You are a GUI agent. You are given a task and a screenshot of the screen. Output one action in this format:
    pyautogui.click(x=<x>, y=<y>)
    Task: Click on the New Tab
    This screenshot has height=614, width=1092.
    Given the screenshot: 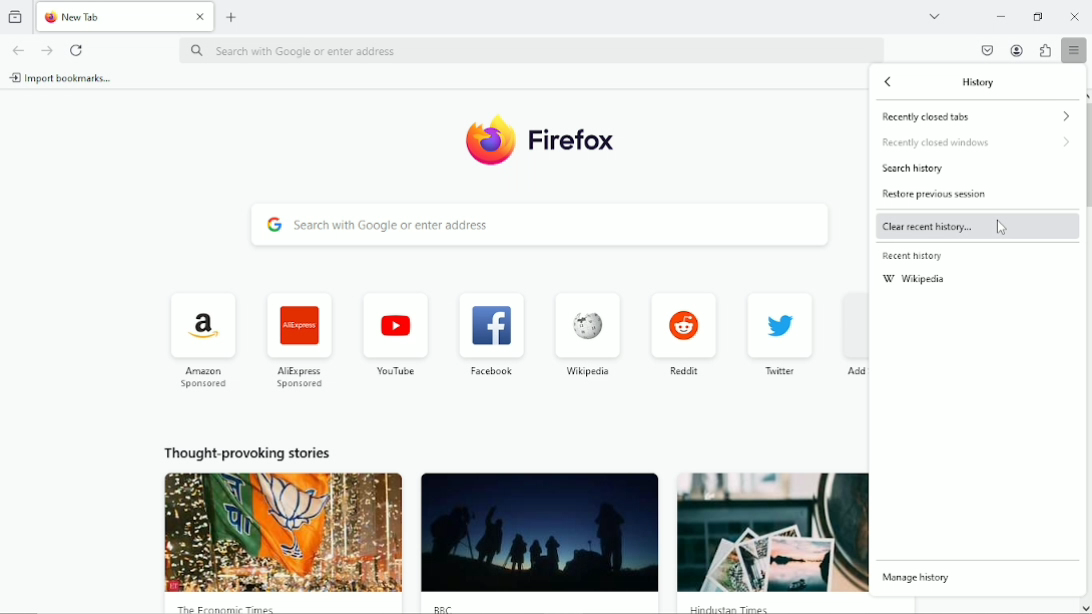 What is the action you would take?
    pyautogui.click(x=109, y=16)
    